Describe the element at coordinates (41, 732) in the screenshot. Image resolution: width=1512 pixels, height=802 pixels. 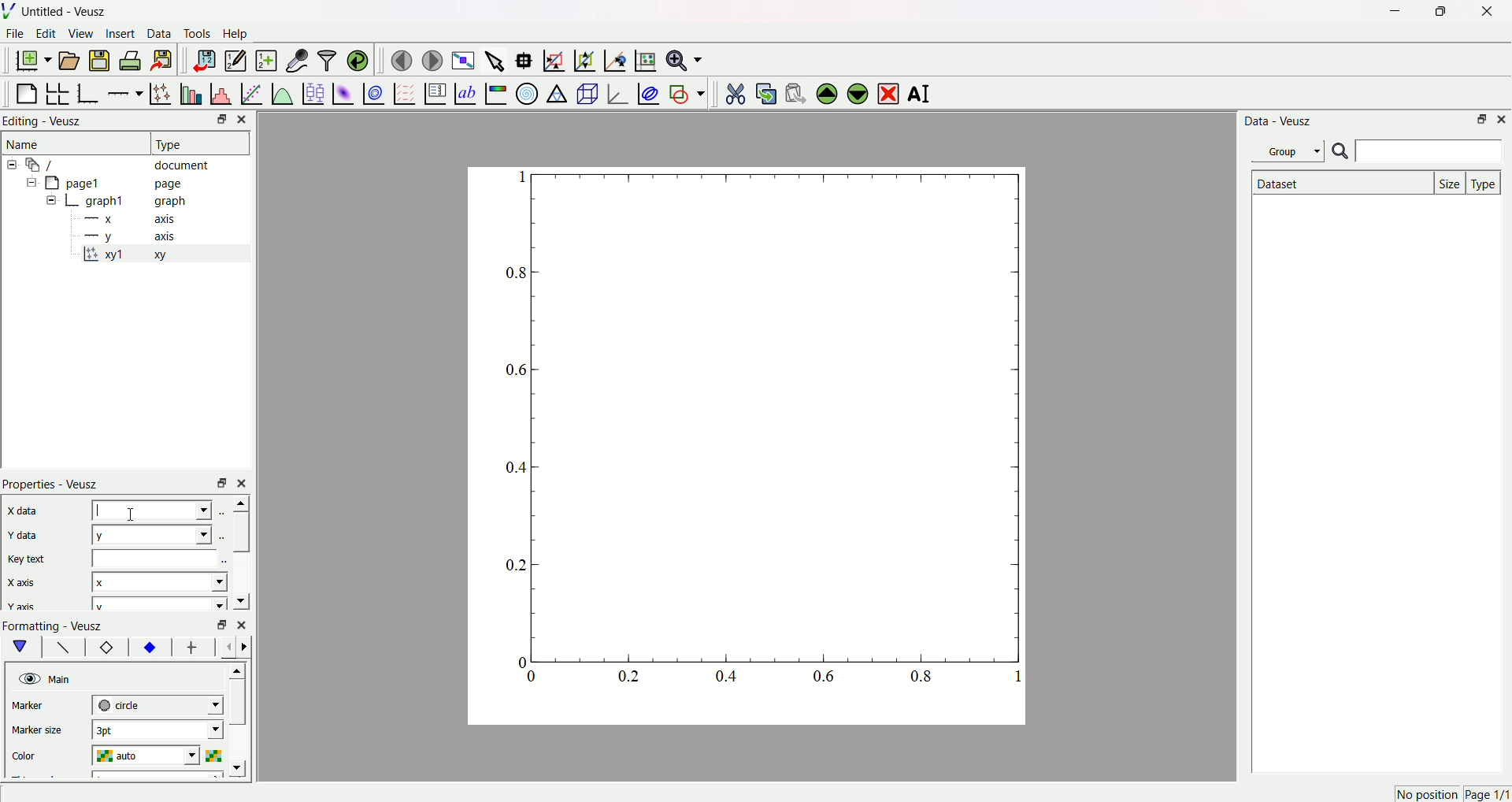
I see `marker size` at that location.